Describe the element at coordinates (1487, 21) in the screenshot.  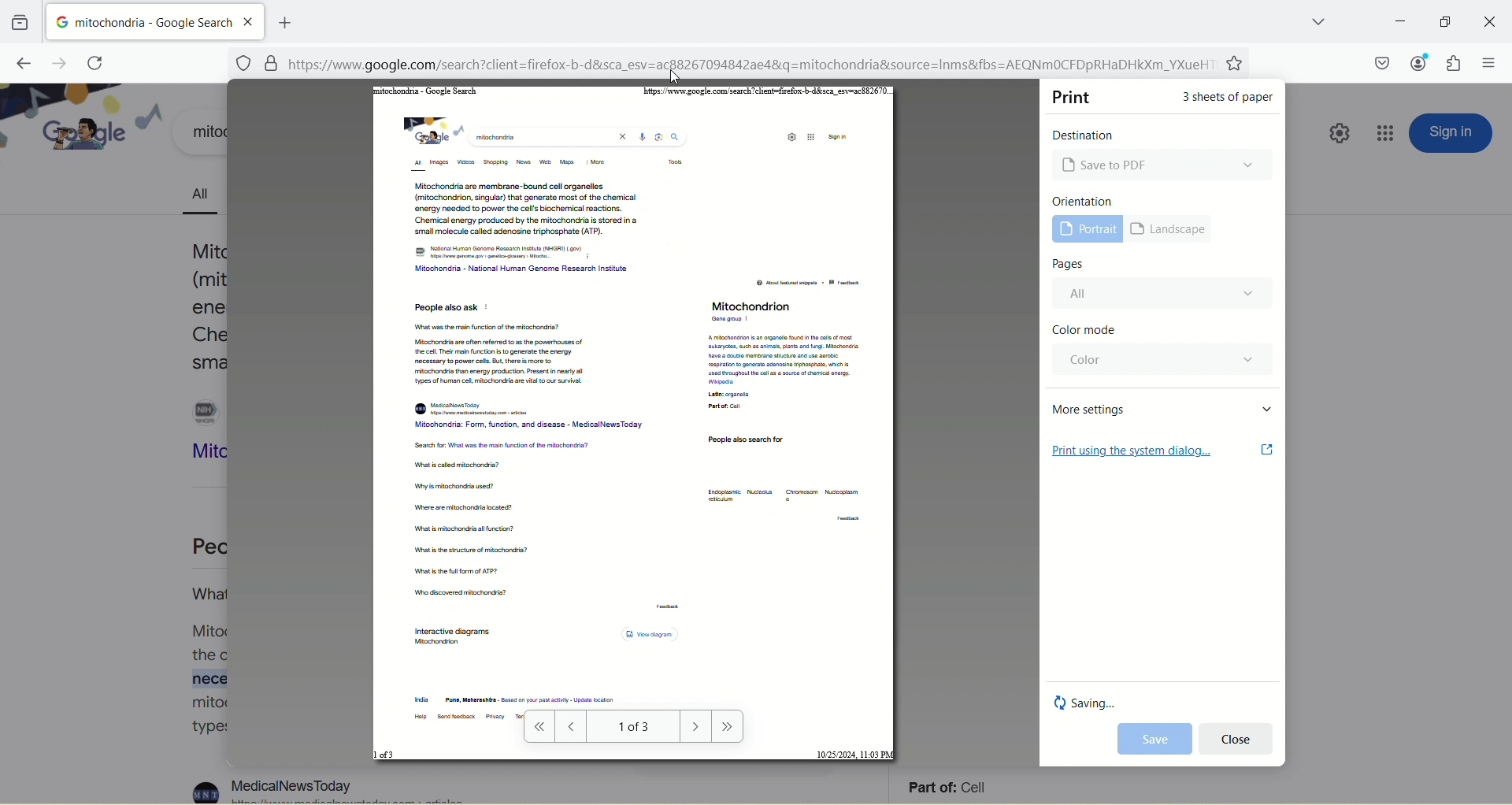
I see `close` at that location.